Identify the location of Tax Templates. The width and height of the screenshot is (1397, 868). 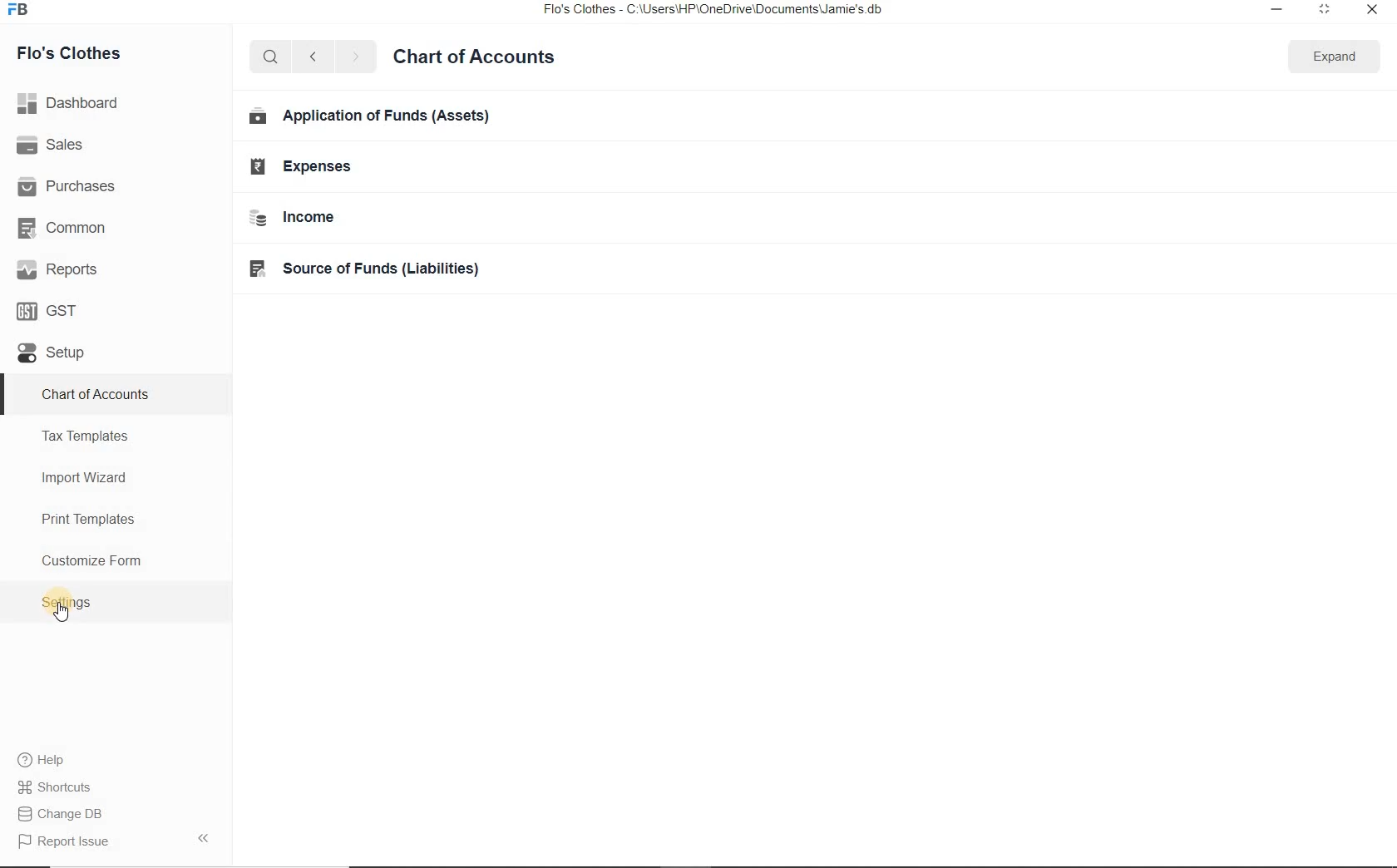
(87, 437).